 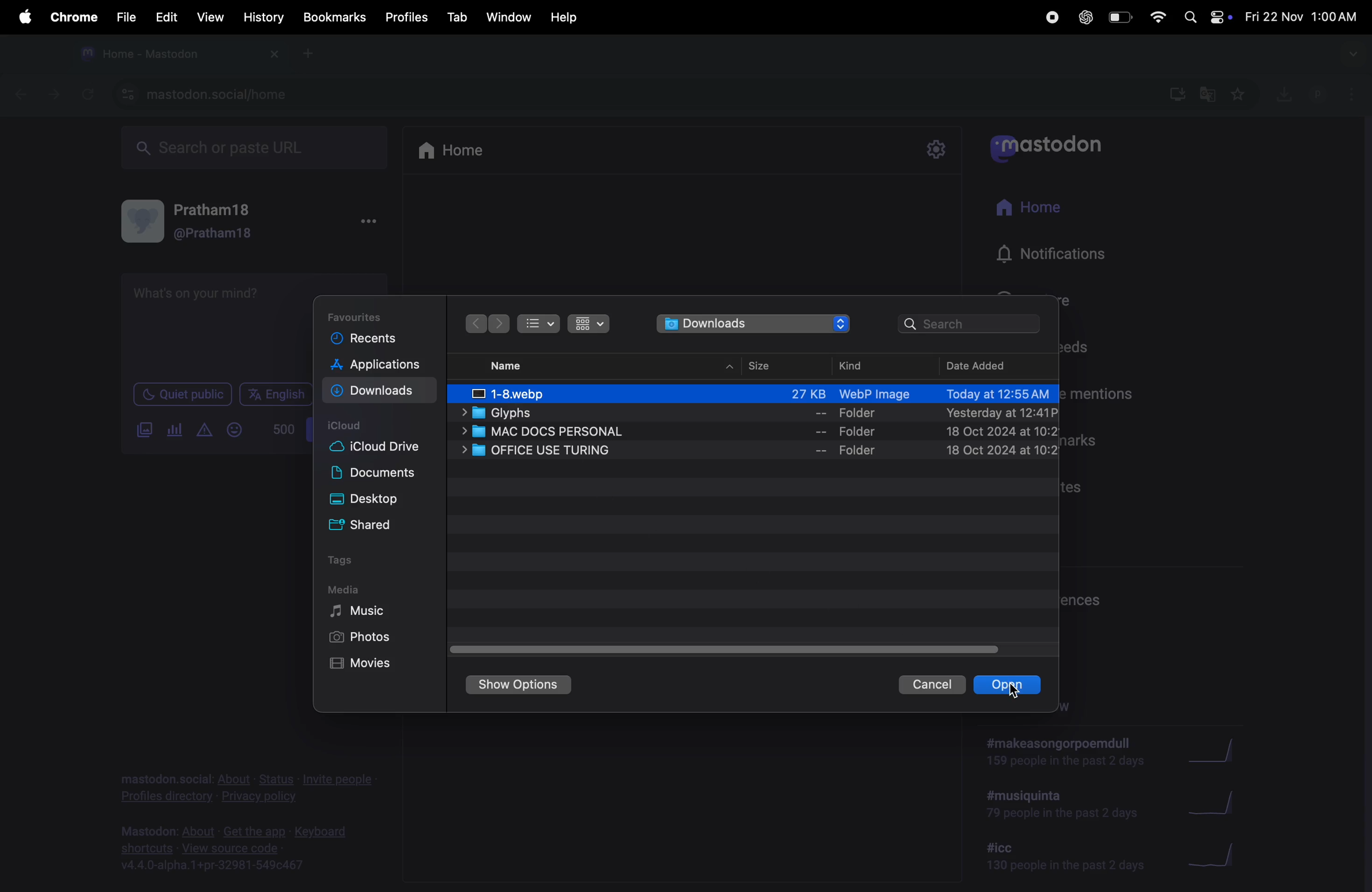 What do you see at coordinates (176, 430) in the screenshot?
I see `poll` at bounding box center [176, 430].